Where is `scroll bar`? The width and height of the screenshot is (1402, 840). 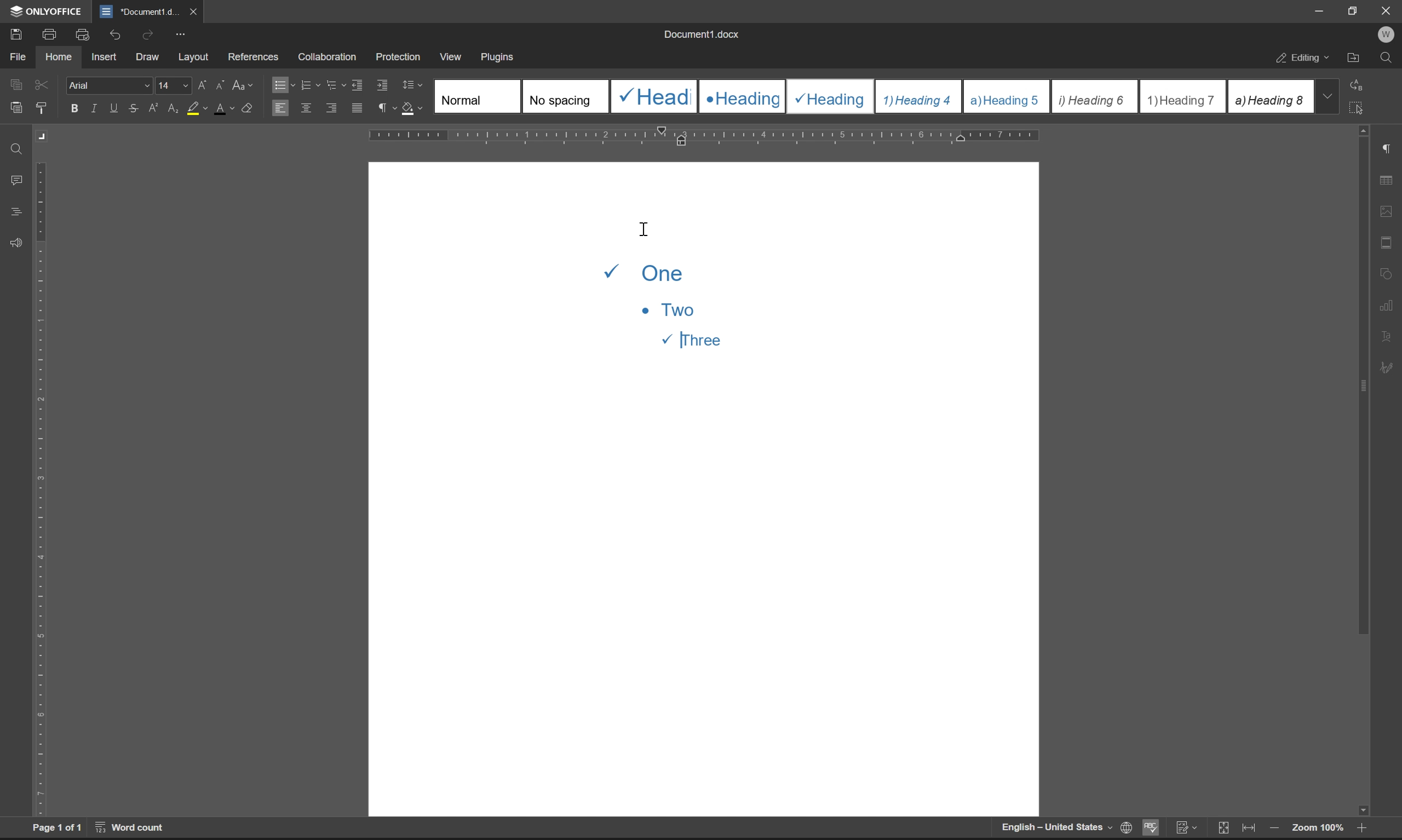 scroll bar is located at coordinates (1361, 471).